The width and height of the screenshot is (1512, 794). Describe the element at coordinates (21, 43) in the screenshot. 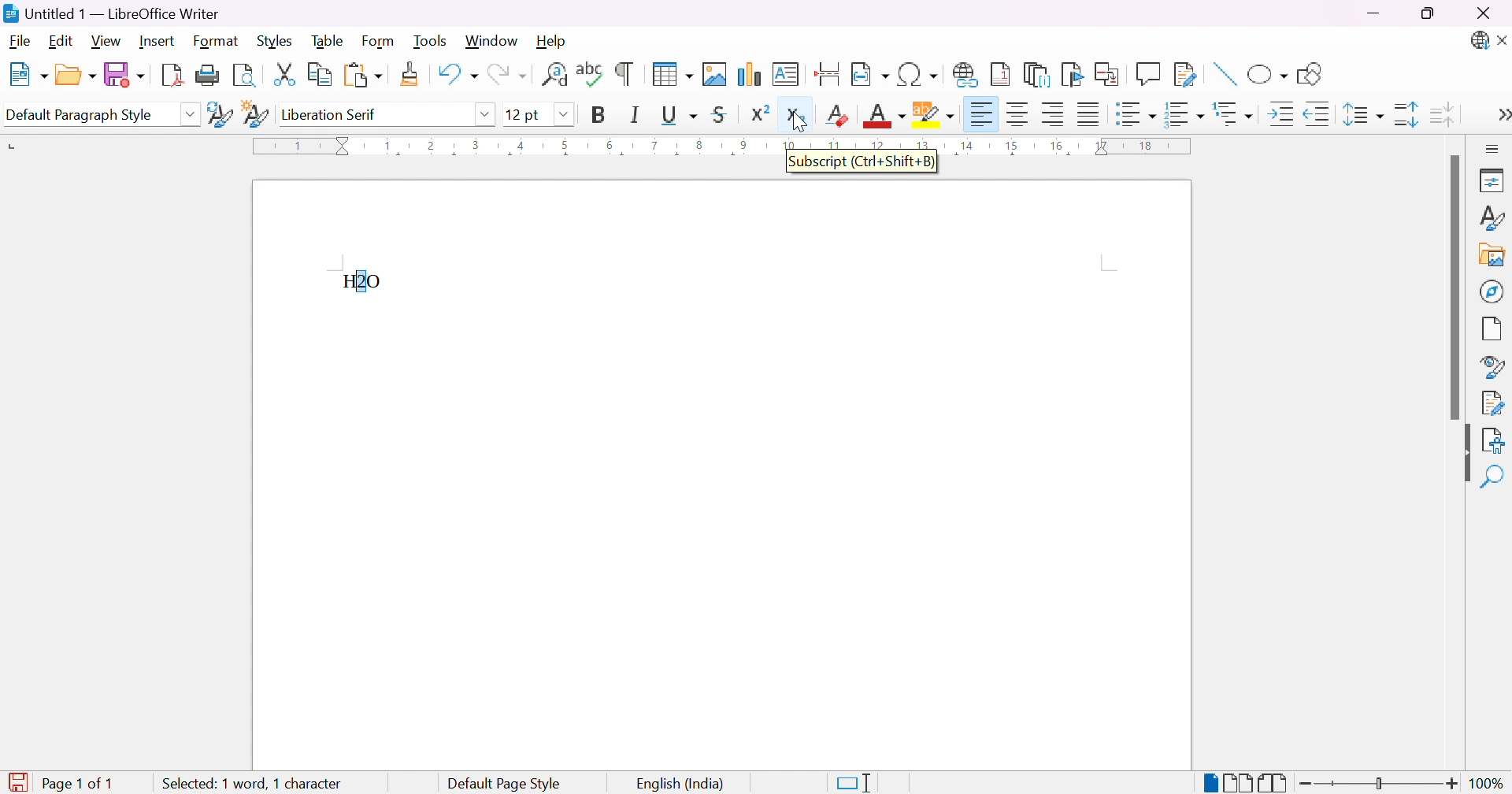

I see `File` at that location.